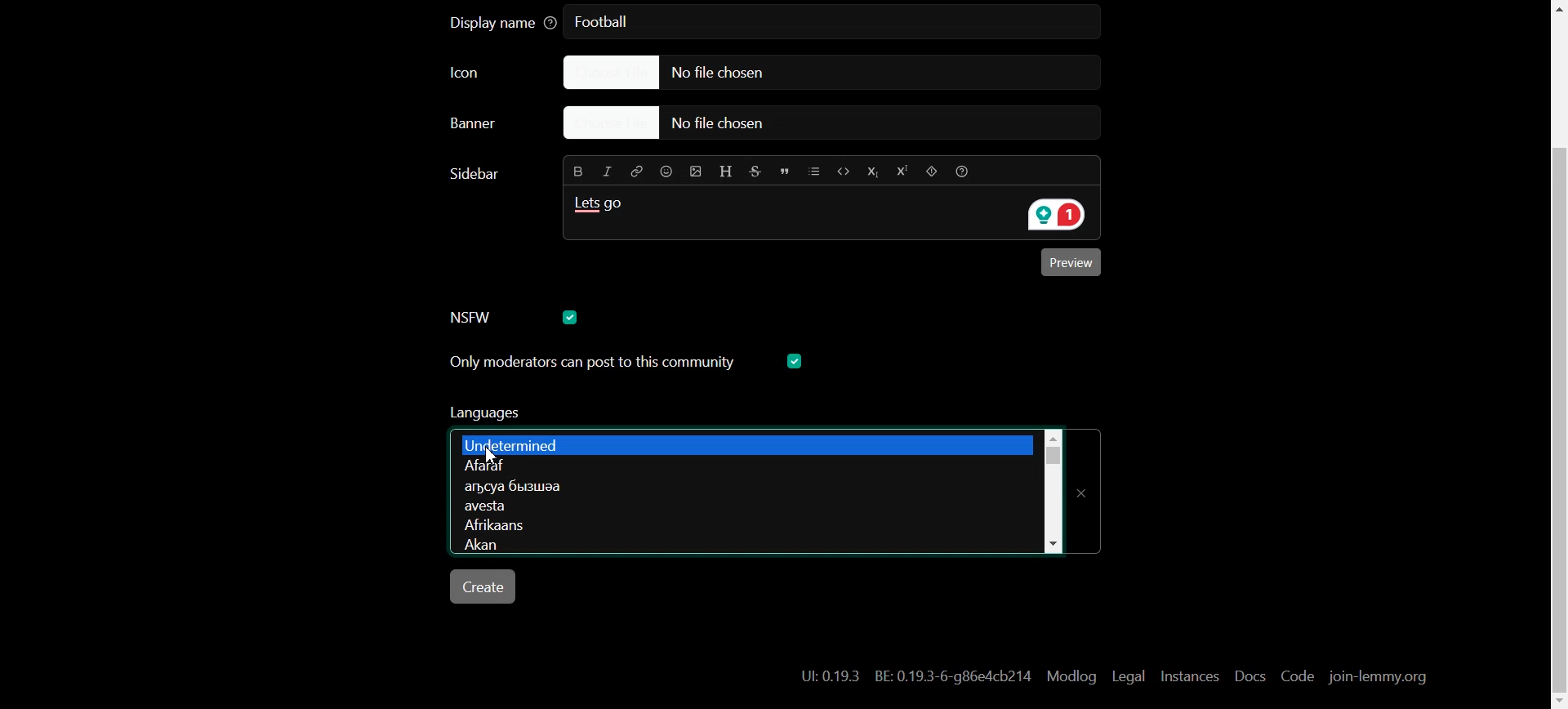 This screenshot has width=1568, height=709. Describe the element at coordinates (797, 361) in the screenshot. I see `check` at that location.